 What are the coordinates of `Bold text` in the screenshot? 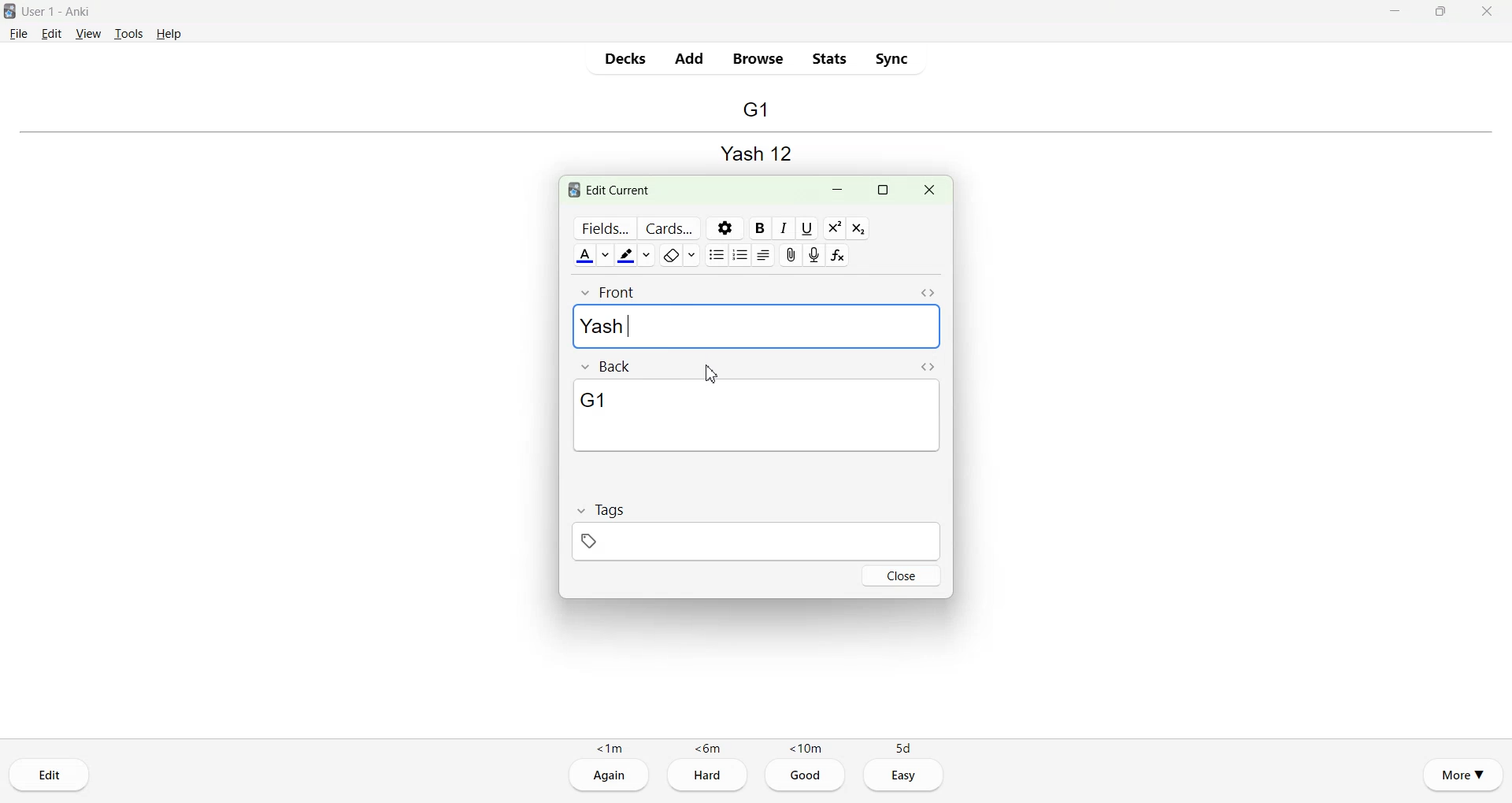 It's located at (758, 228).